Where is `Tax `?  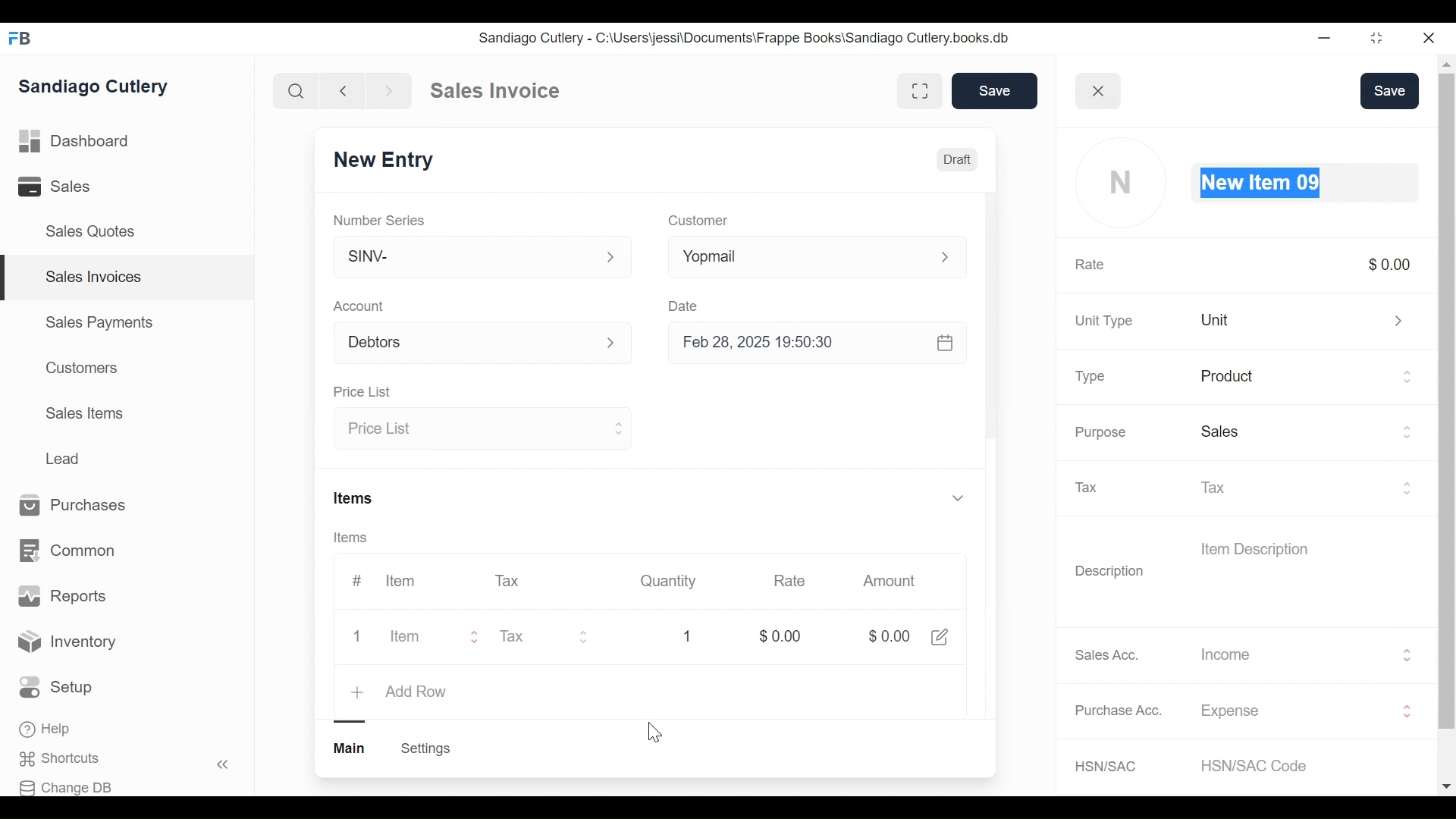
Tax  is located at coordinates (553, 635).